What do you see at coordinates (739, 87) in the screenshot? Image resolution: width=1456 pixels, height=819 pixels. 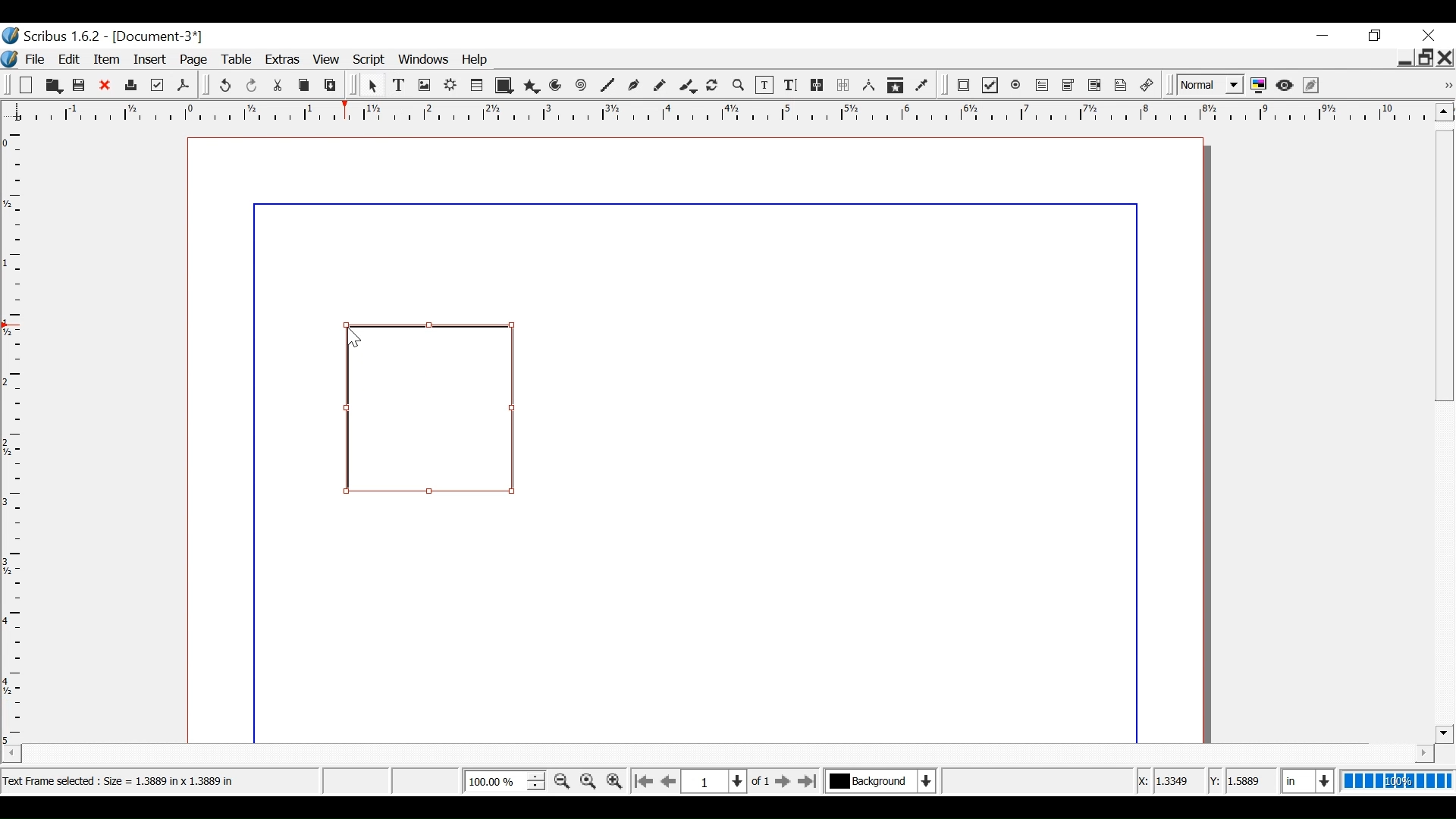 I see `Zoom` at bounding box center [739, 87].